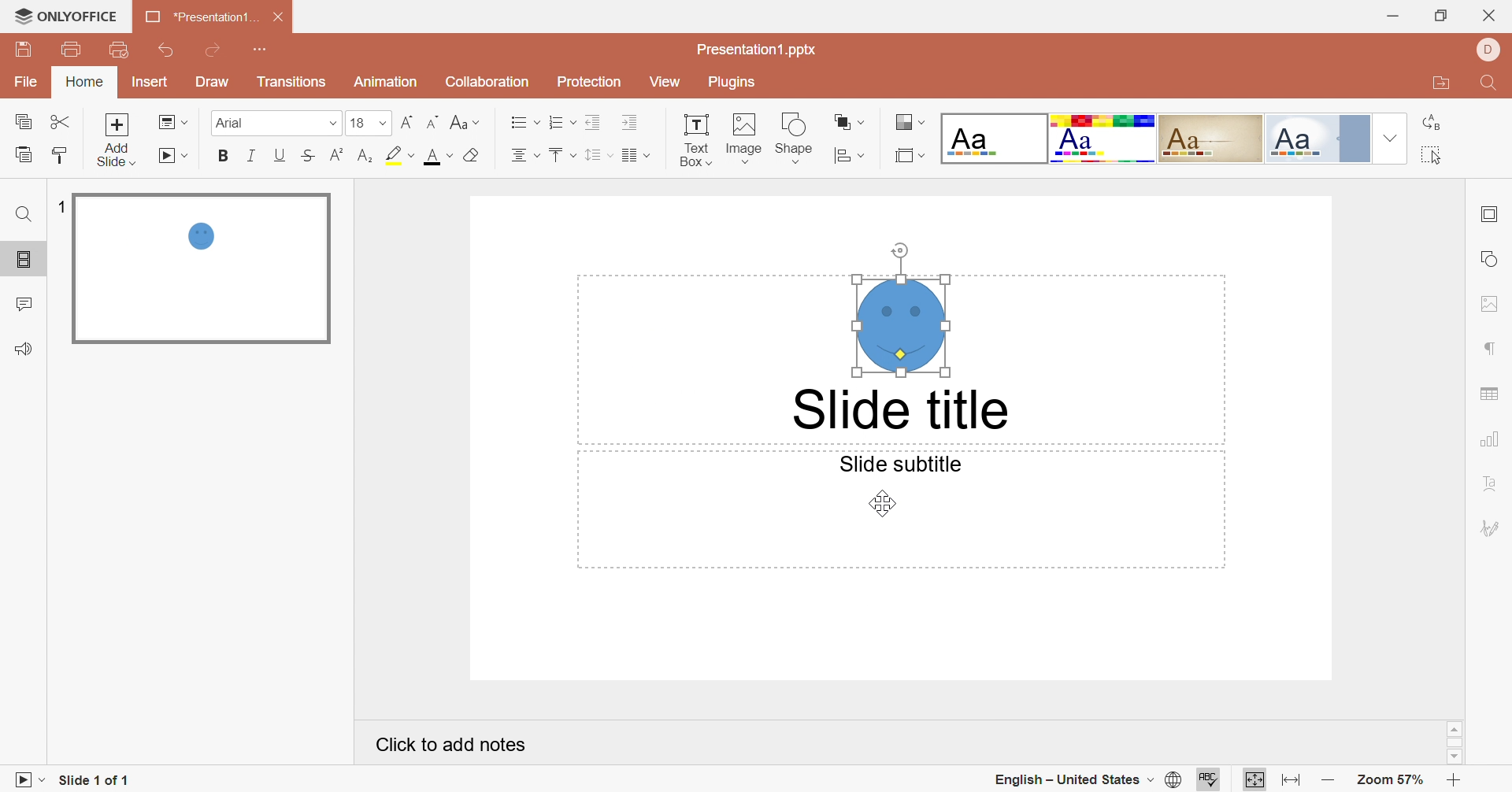 The height and width of the screenshot is (792, 1512). I want to click on Find, so click(23, 214).